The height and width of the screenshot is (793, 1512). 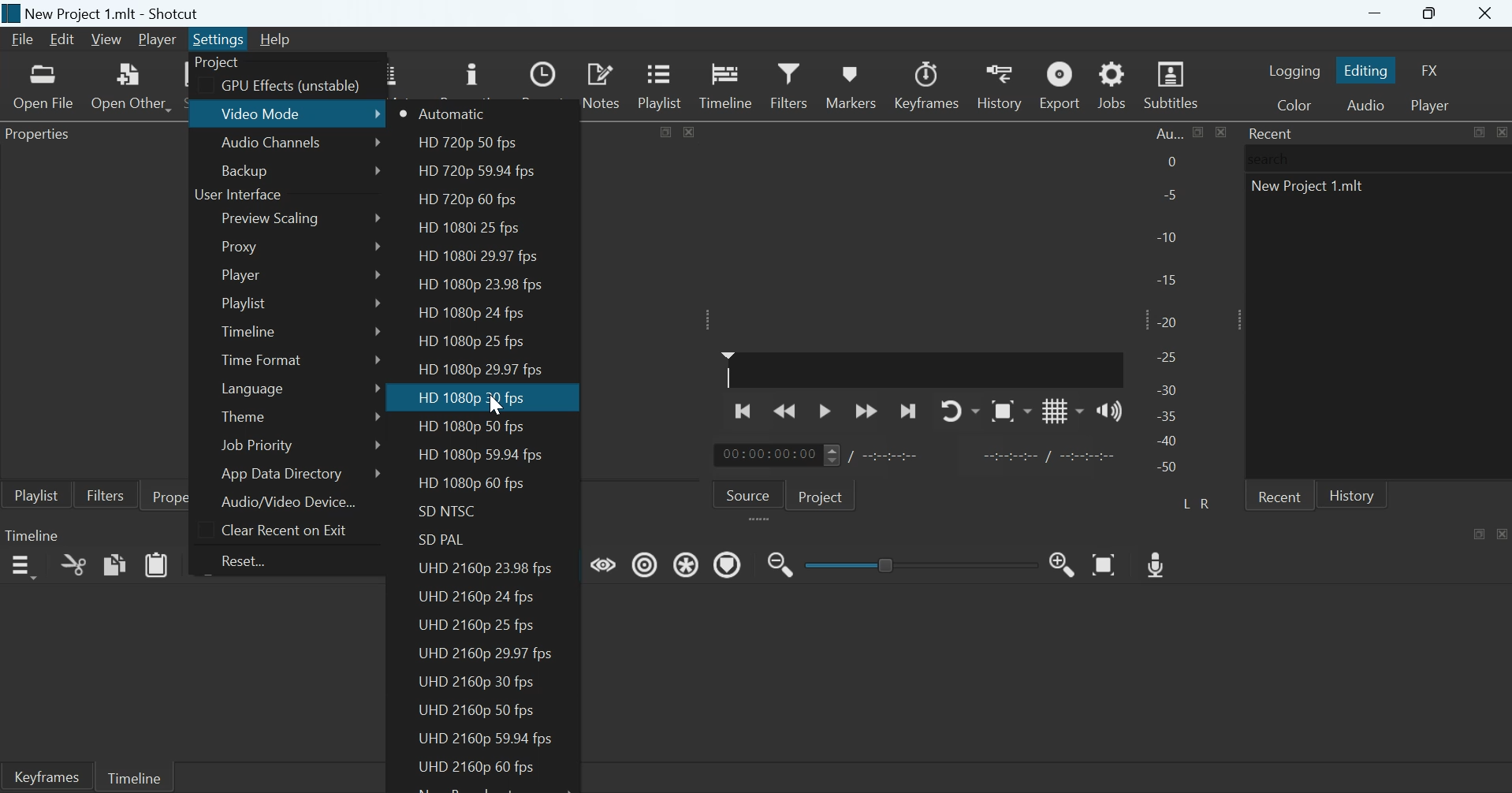 What do you see at coordinates (284, 474) in the screenshot?
I see `App data directory` at bounding box center [284, 474].